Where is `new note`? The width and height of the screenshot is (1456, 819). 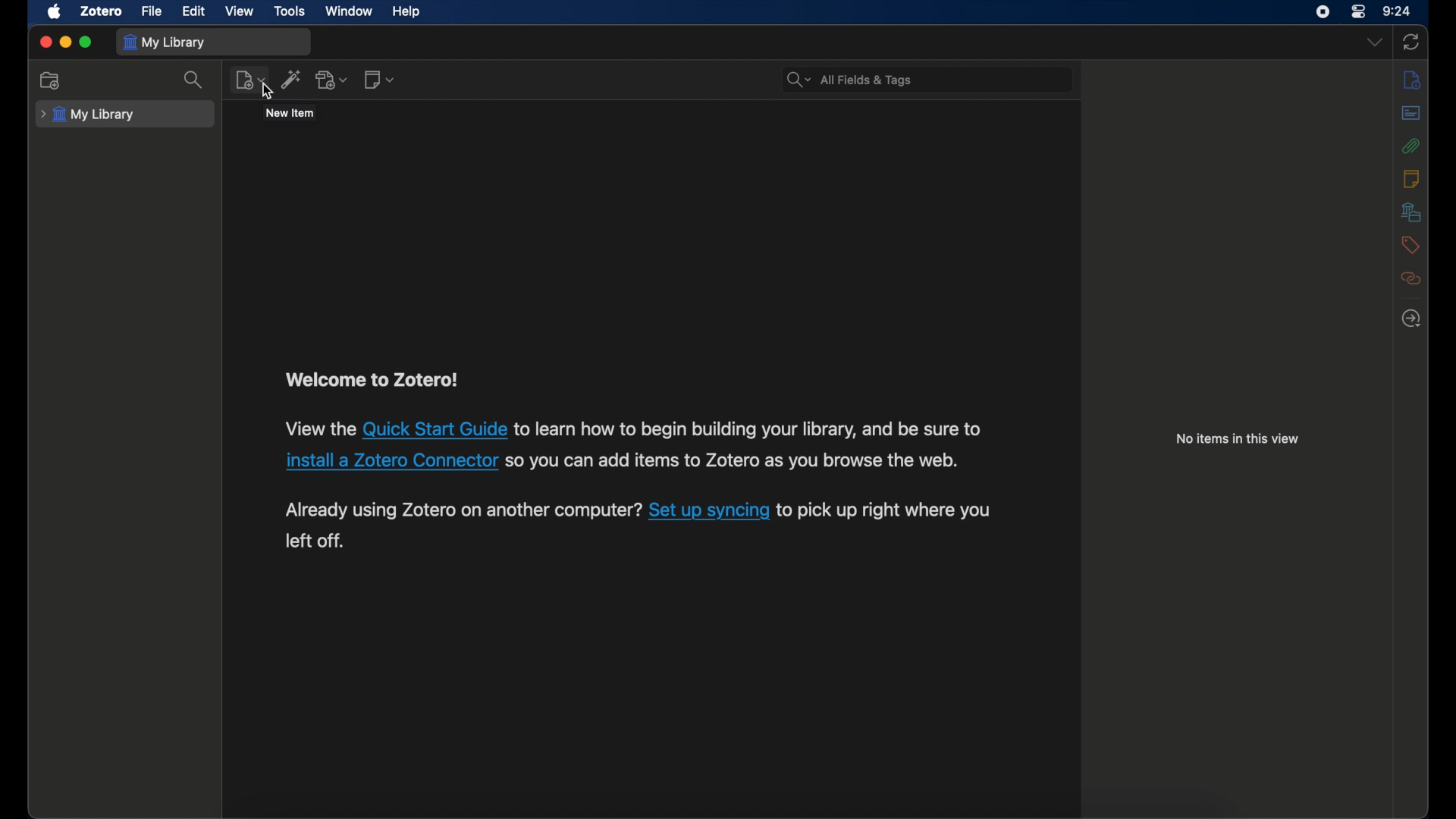
new note is located at coordinates (378, 79).